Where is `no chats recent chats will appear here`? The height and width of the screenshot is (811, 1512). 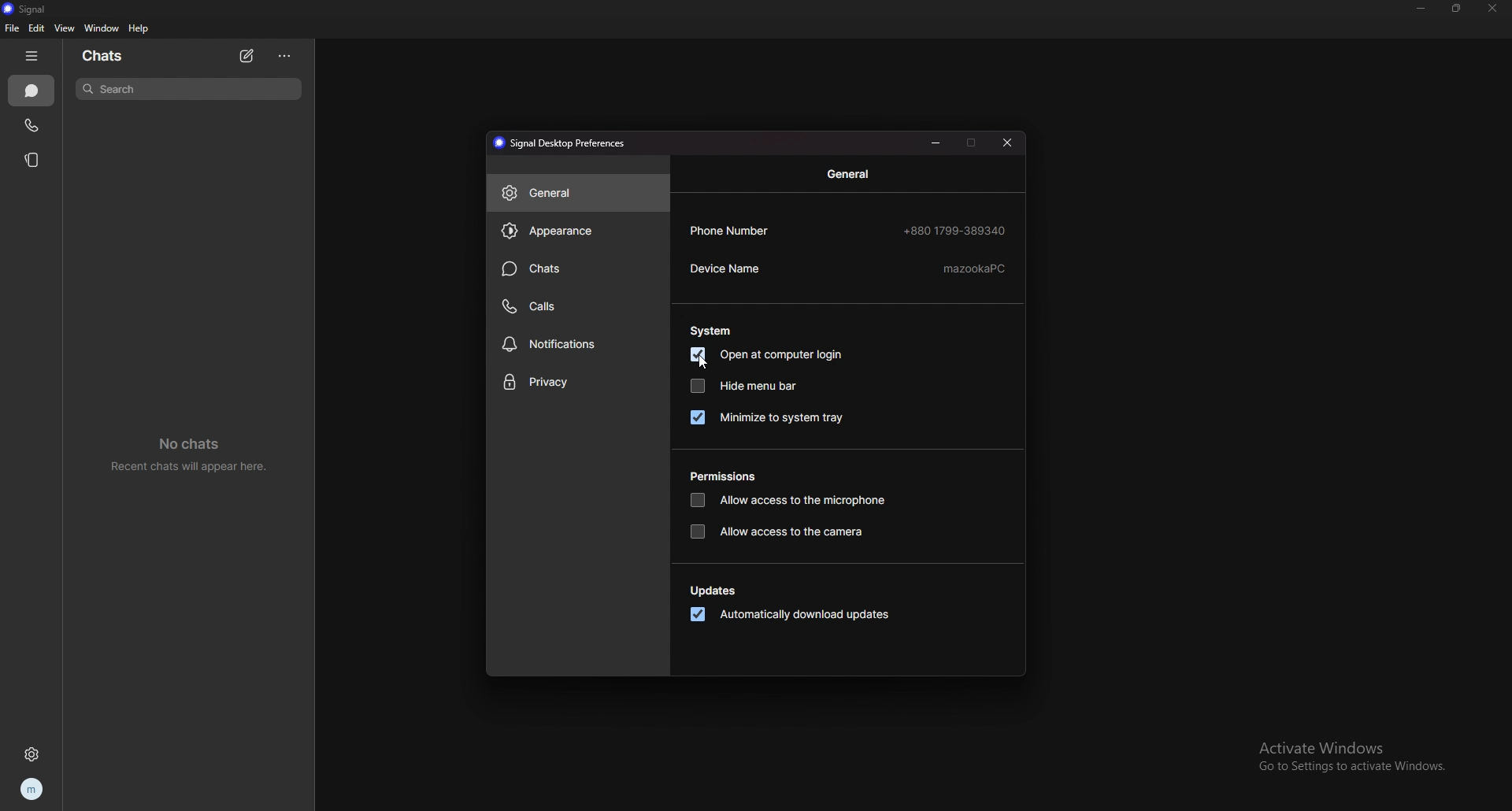 no chats recent chats will appear here is located at coordinates (195, 455).